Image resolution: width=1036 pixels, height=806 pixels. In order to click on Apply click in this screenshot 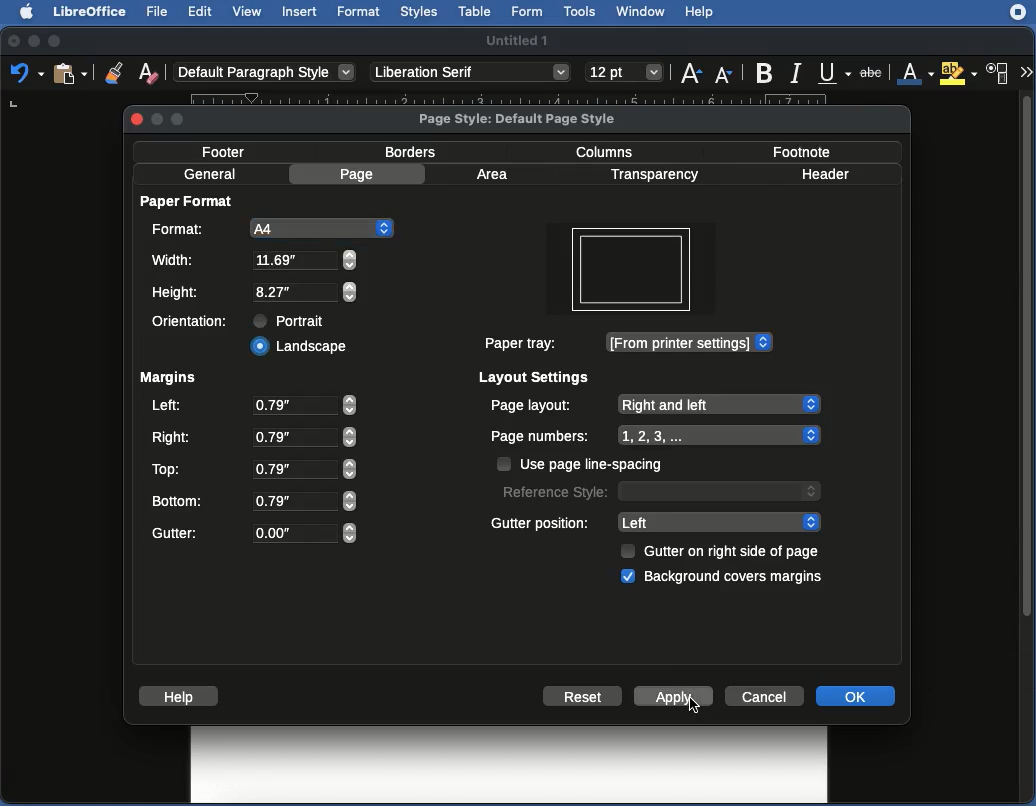, I will do `click(674, 696)`.